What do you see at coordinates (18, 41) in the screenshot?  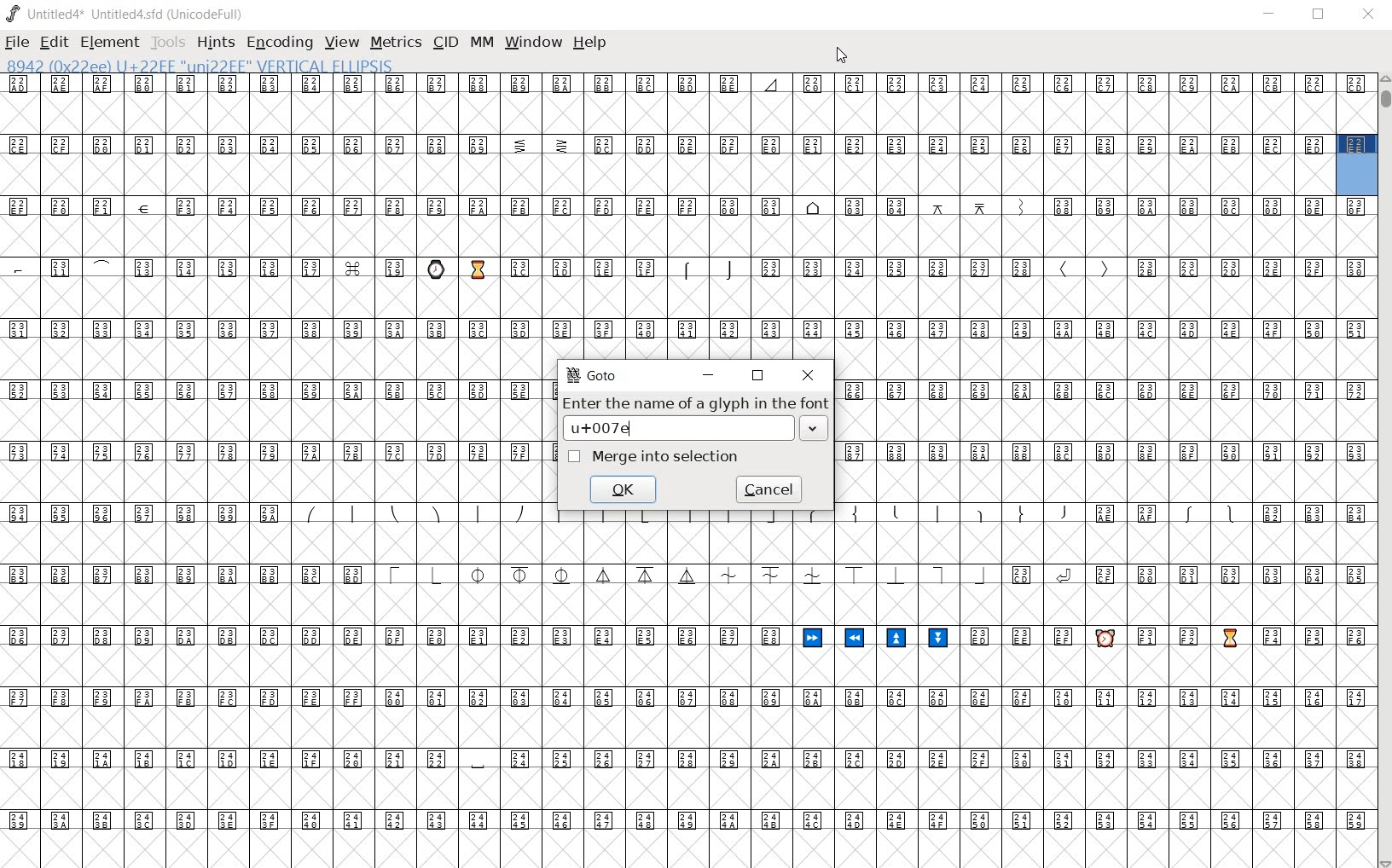 I see `FILE` at bounding box center [18, 41].